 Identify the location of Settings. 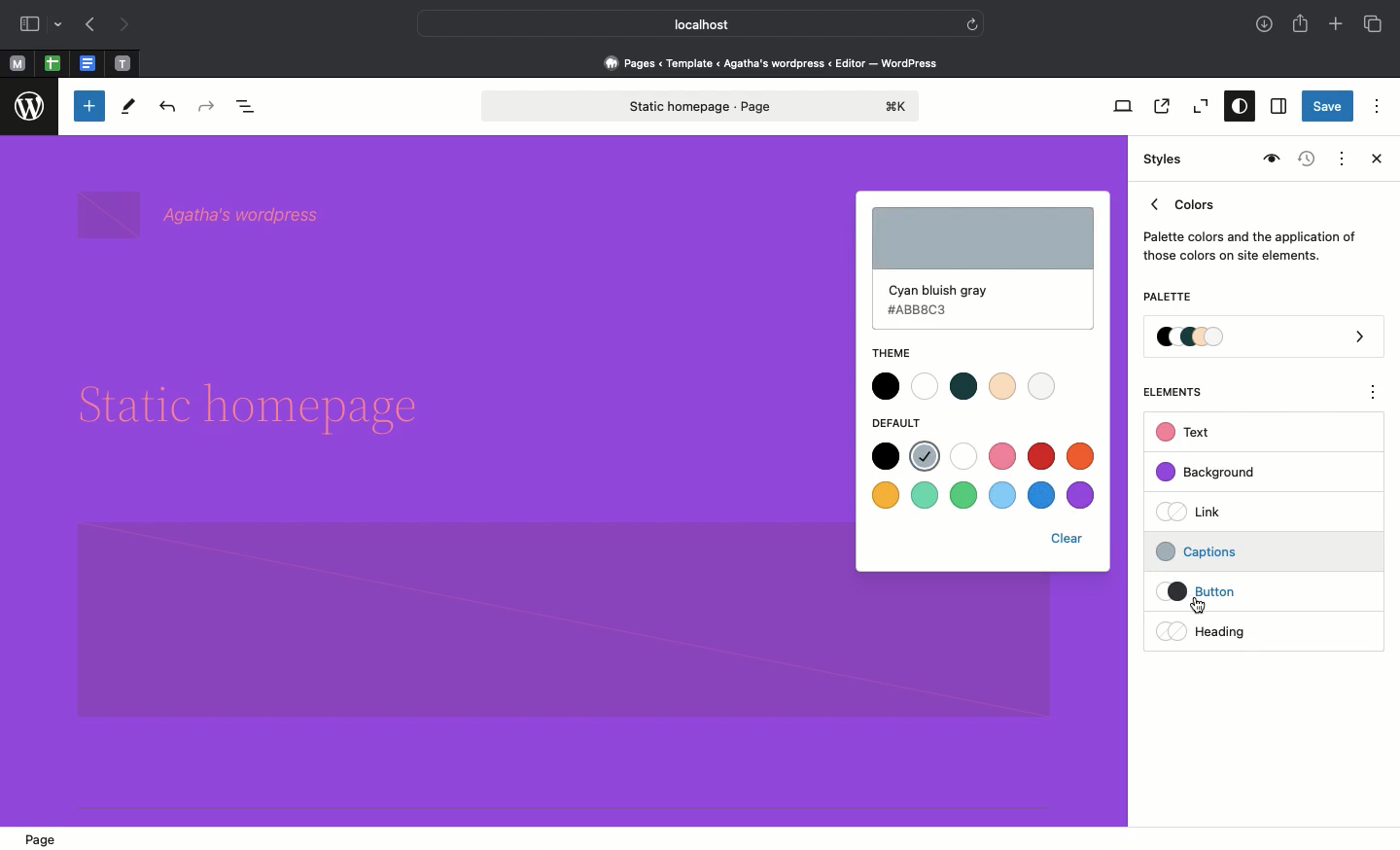
(1277, 107).